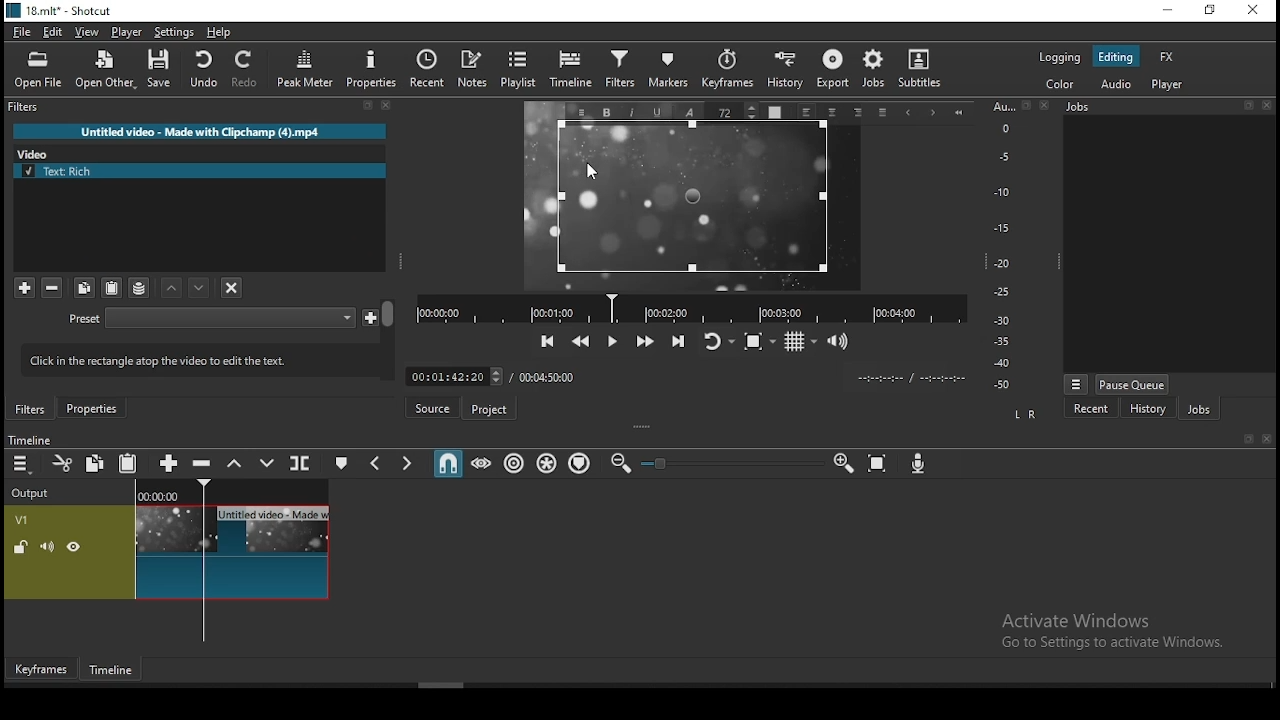  I want to click on mouse pointer, so click(592, 169).